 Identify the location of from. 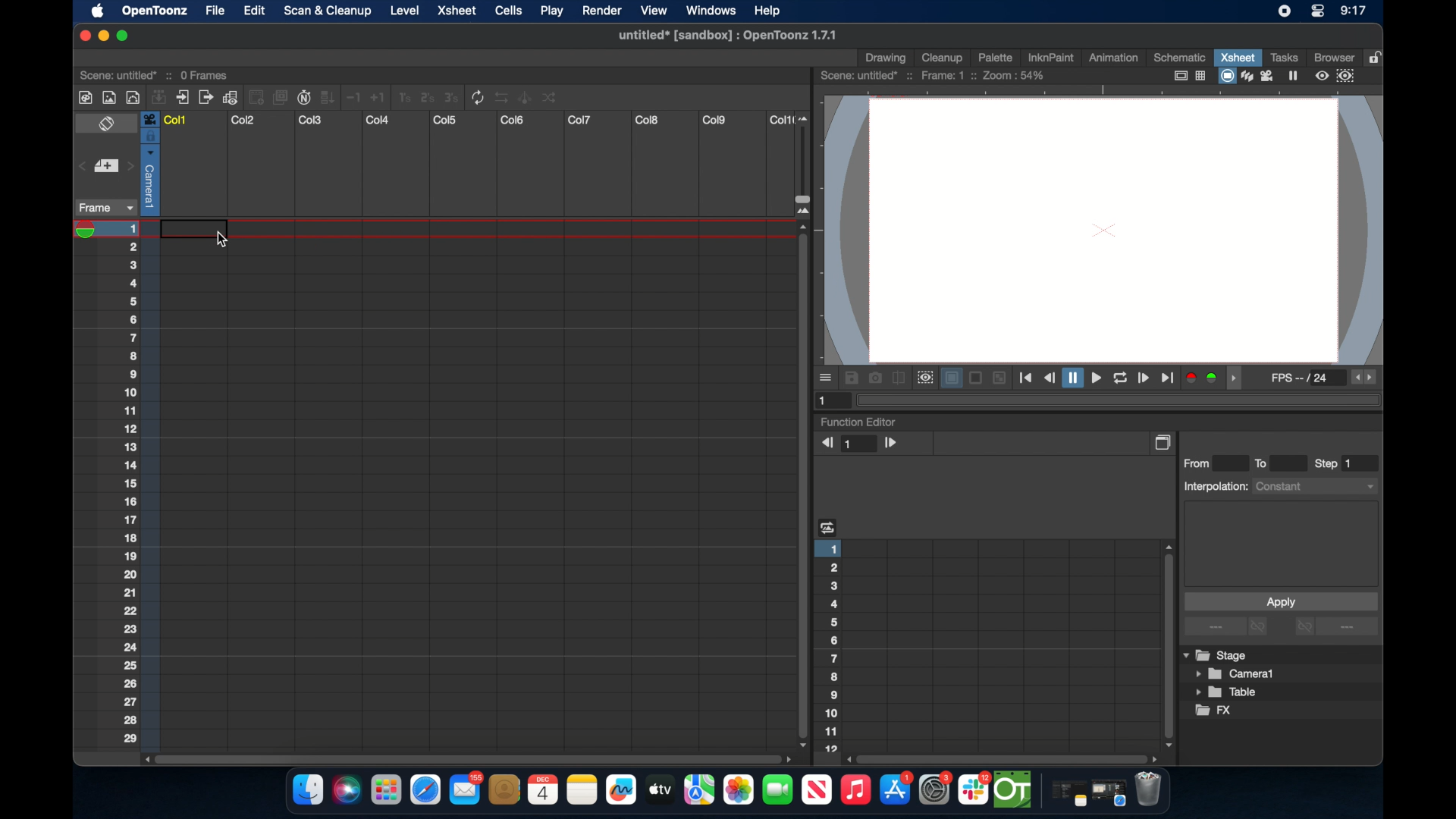
(1200, 463).